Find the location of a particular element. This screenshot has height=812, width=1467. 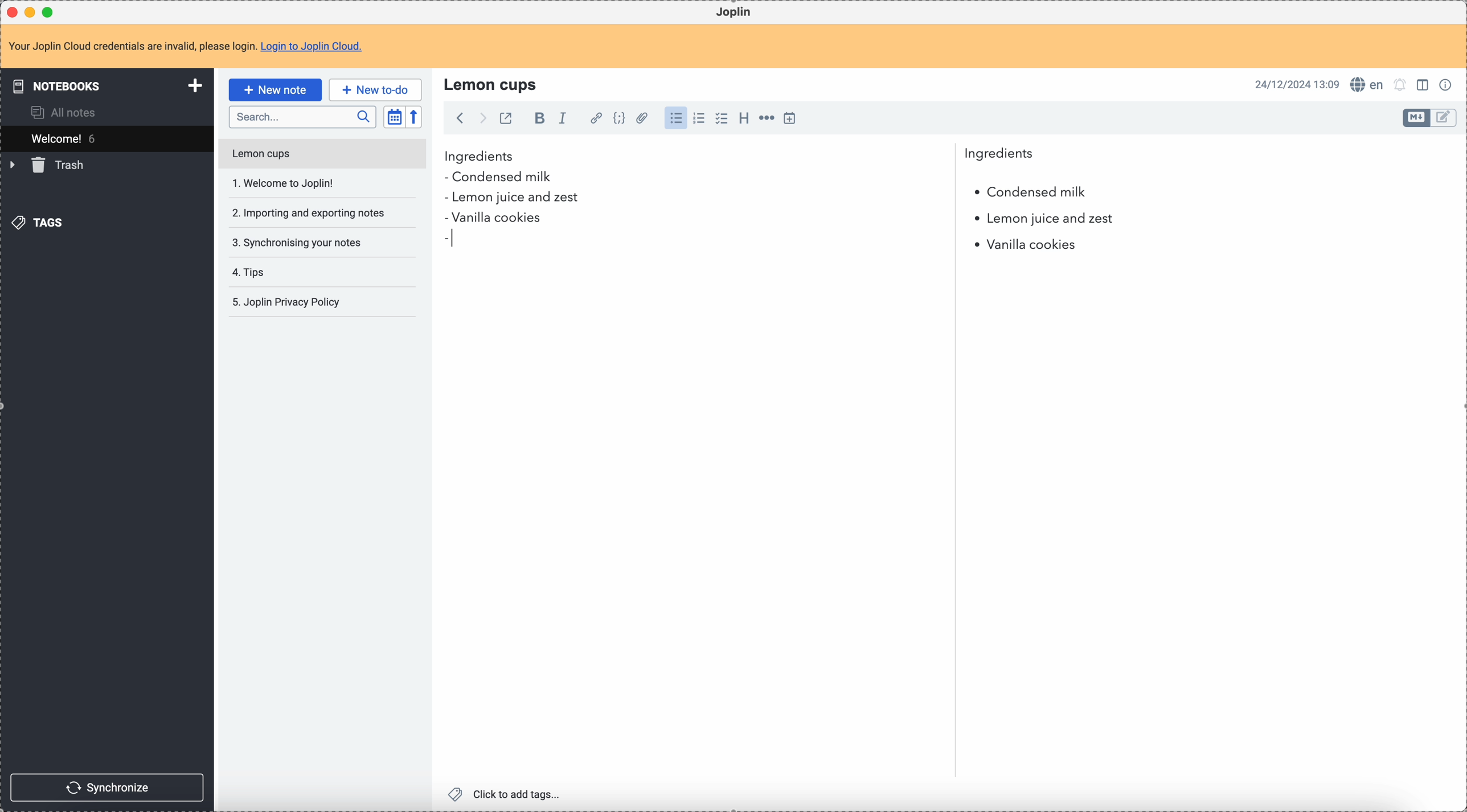

date and hour is located at coordinates (1297, 84).